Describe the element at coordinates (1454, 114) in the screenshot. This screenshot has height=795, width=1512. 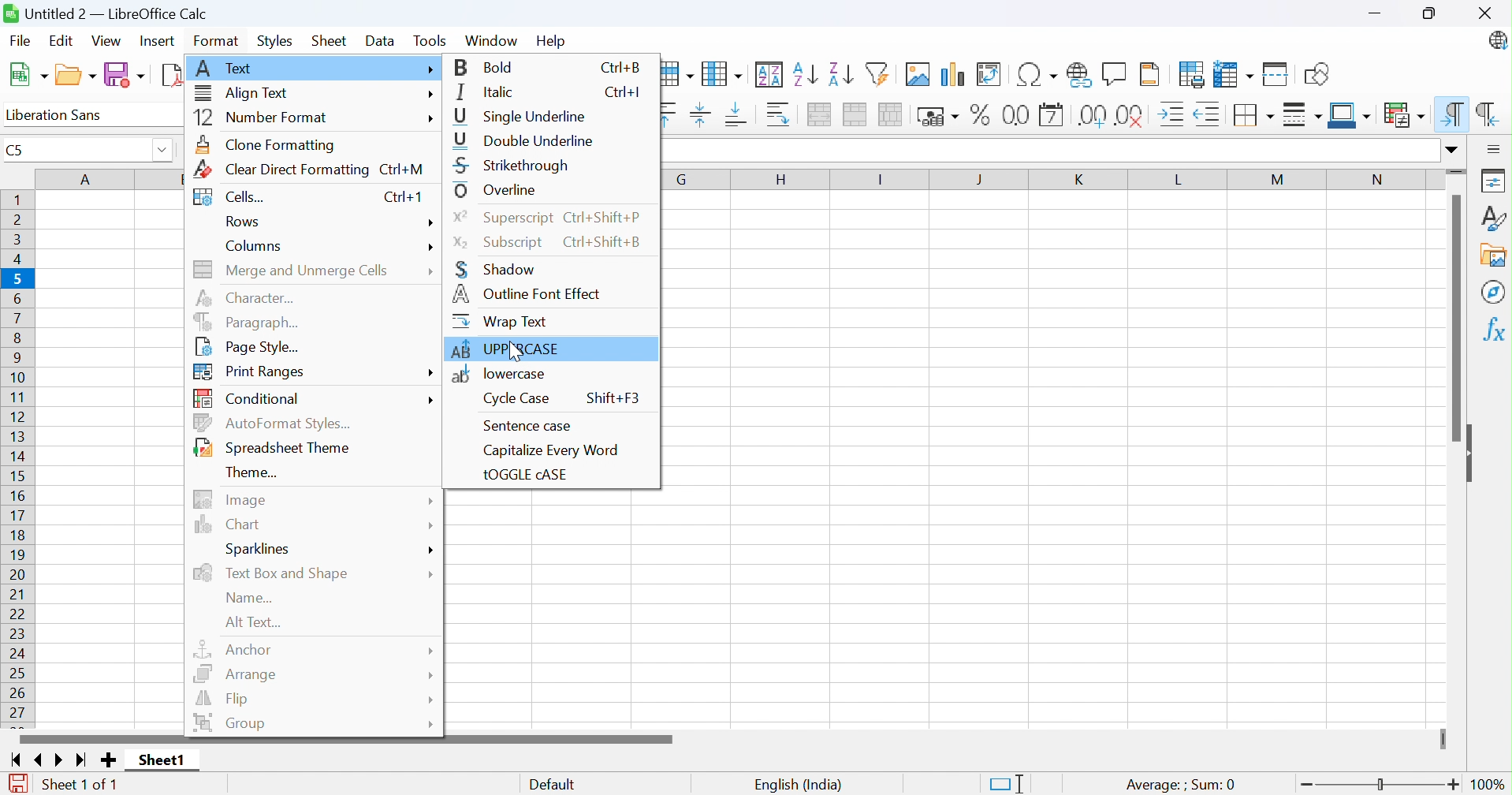
I see `Left-to-right` at that location.